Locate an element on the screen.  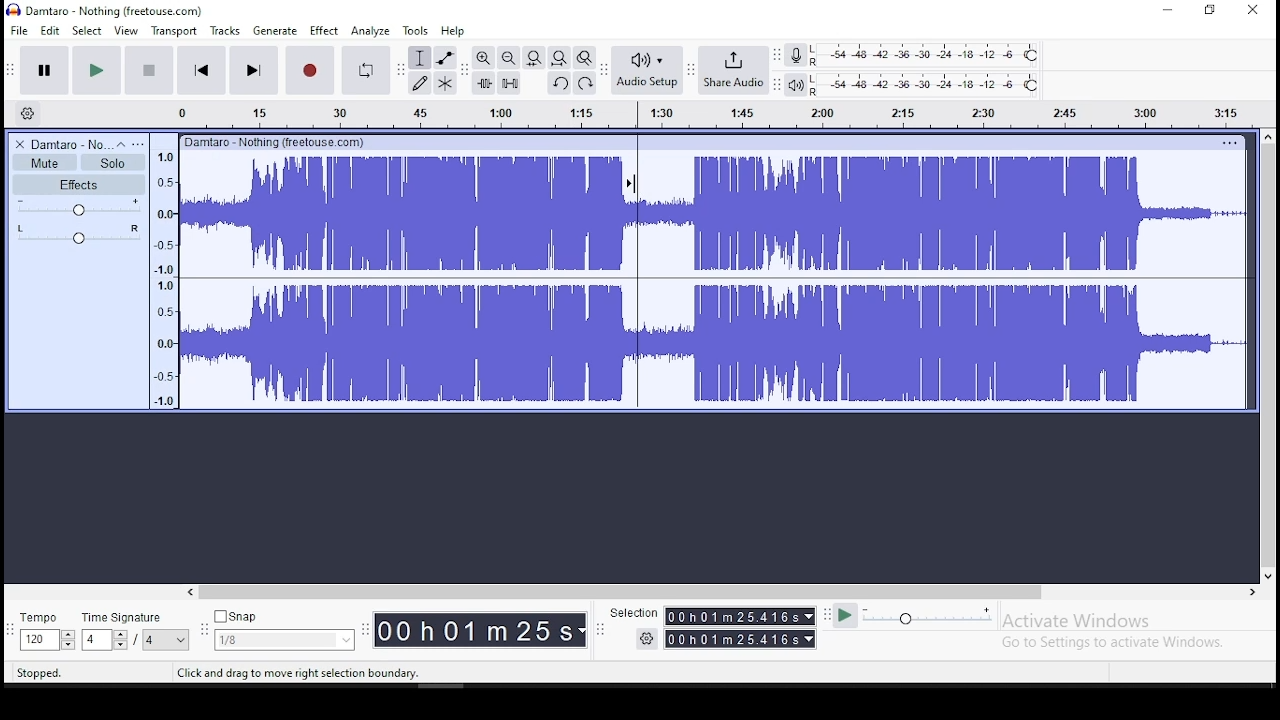
icon and file name is located at coordinates (111, 9).